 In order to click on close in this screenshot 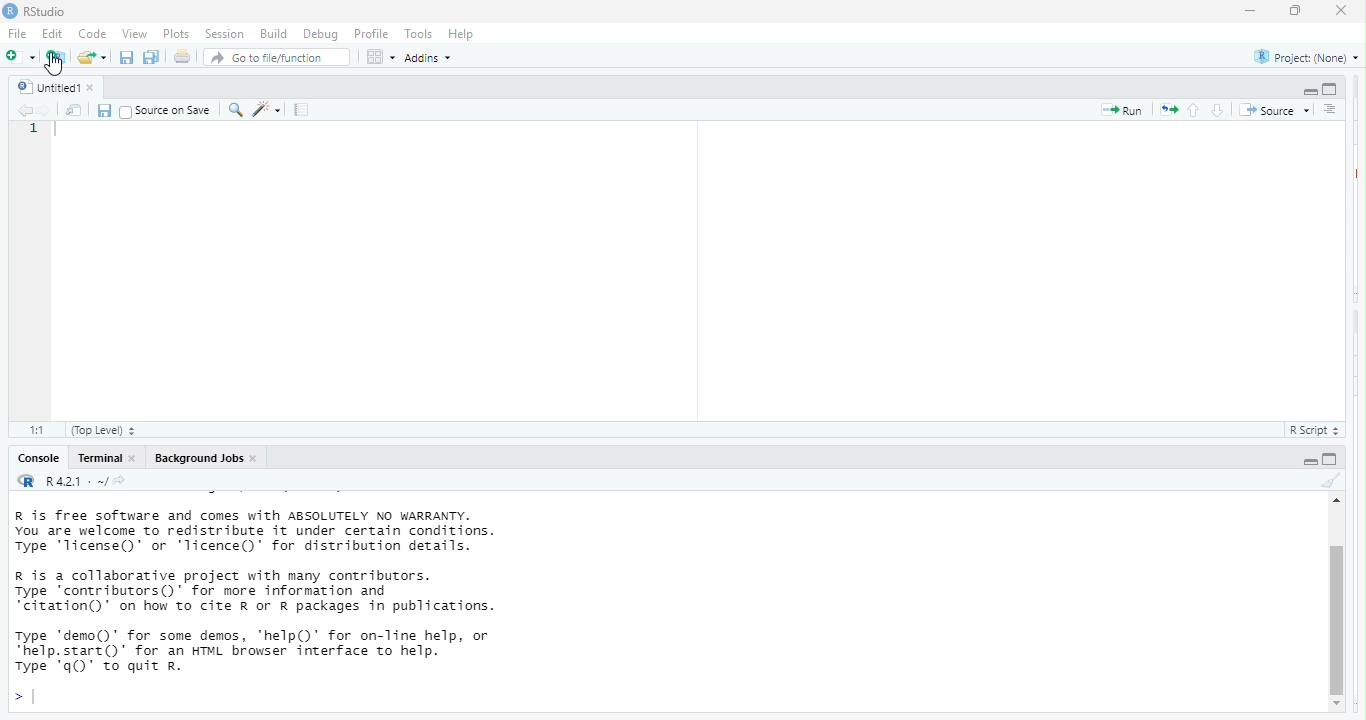, I will do `click(1343, 13)`.